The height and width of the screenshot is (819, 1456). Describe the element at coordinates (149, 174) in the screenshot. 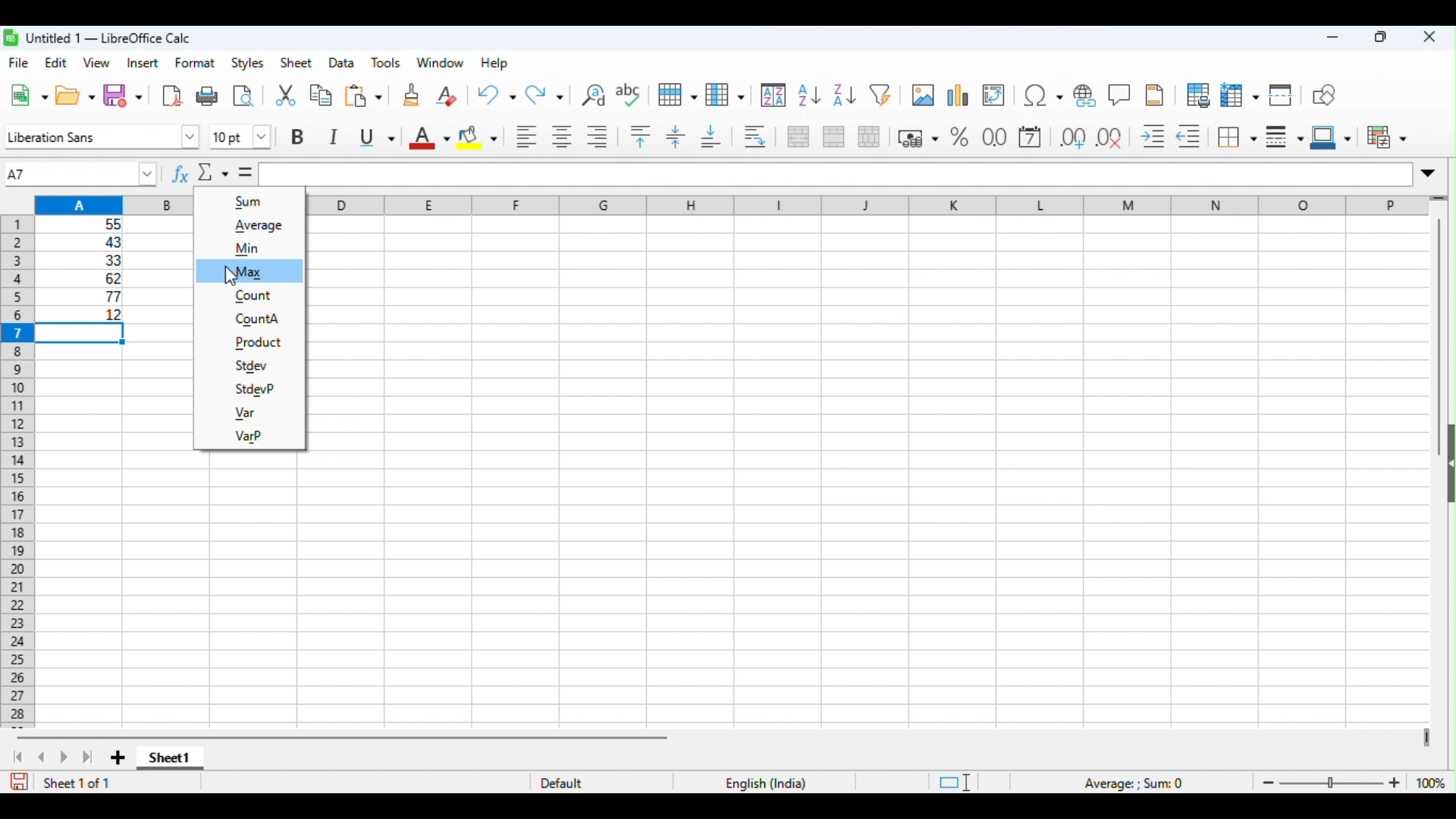

I see `drop down` at that location.